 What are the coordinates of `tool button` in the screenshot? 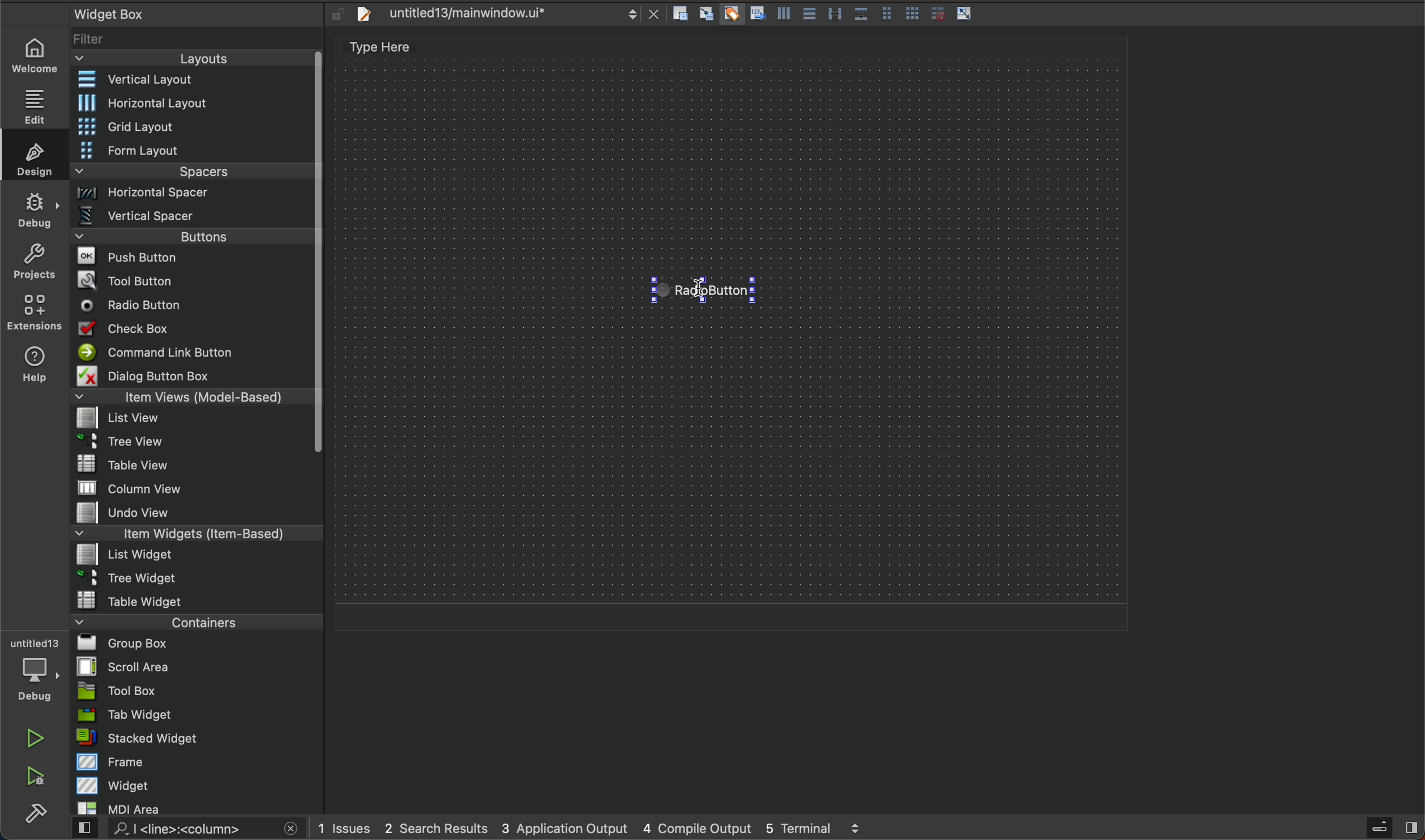 It's located at (194, 280).